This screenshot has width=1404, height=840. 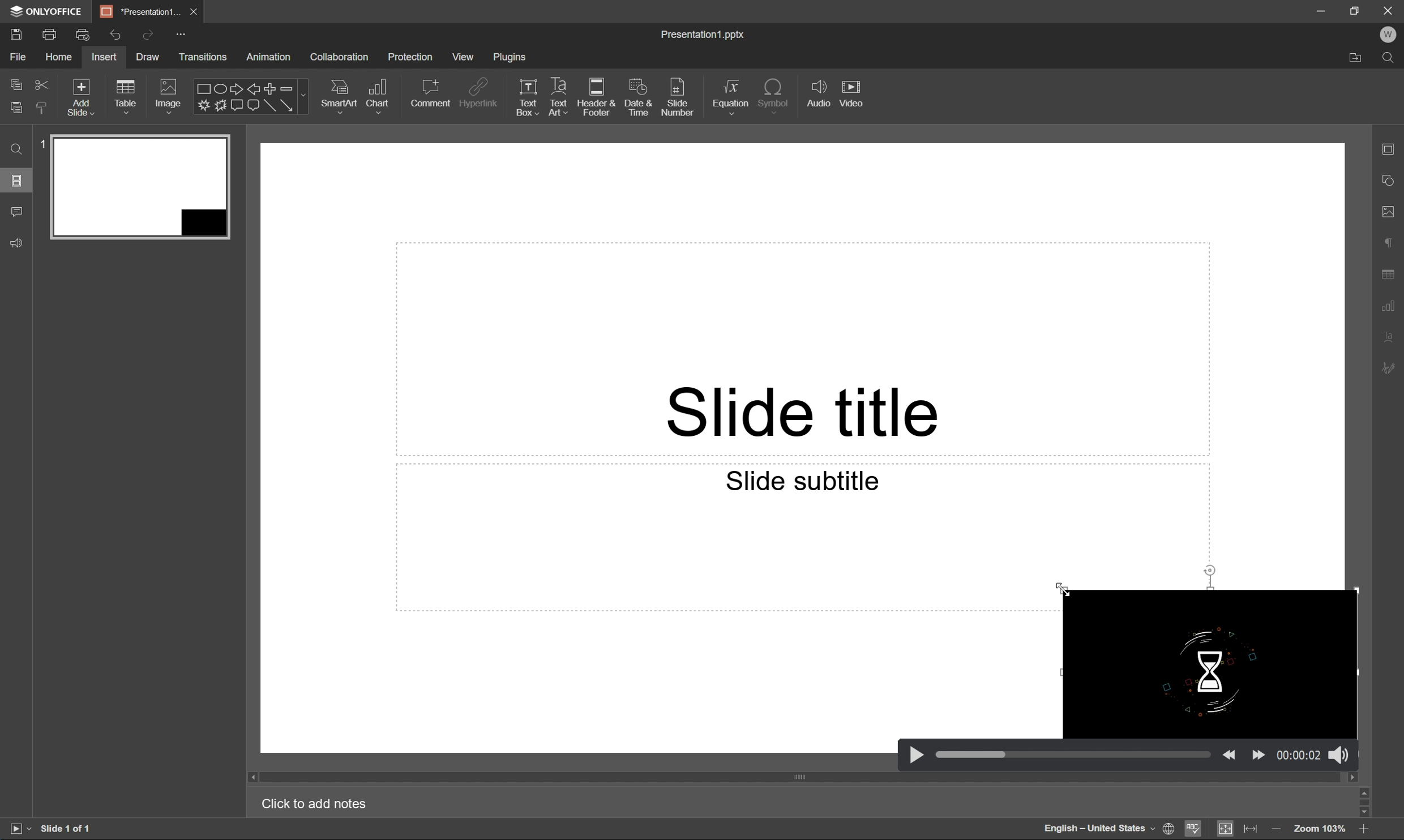 I want to click on video, so click(x=1206, y=665).